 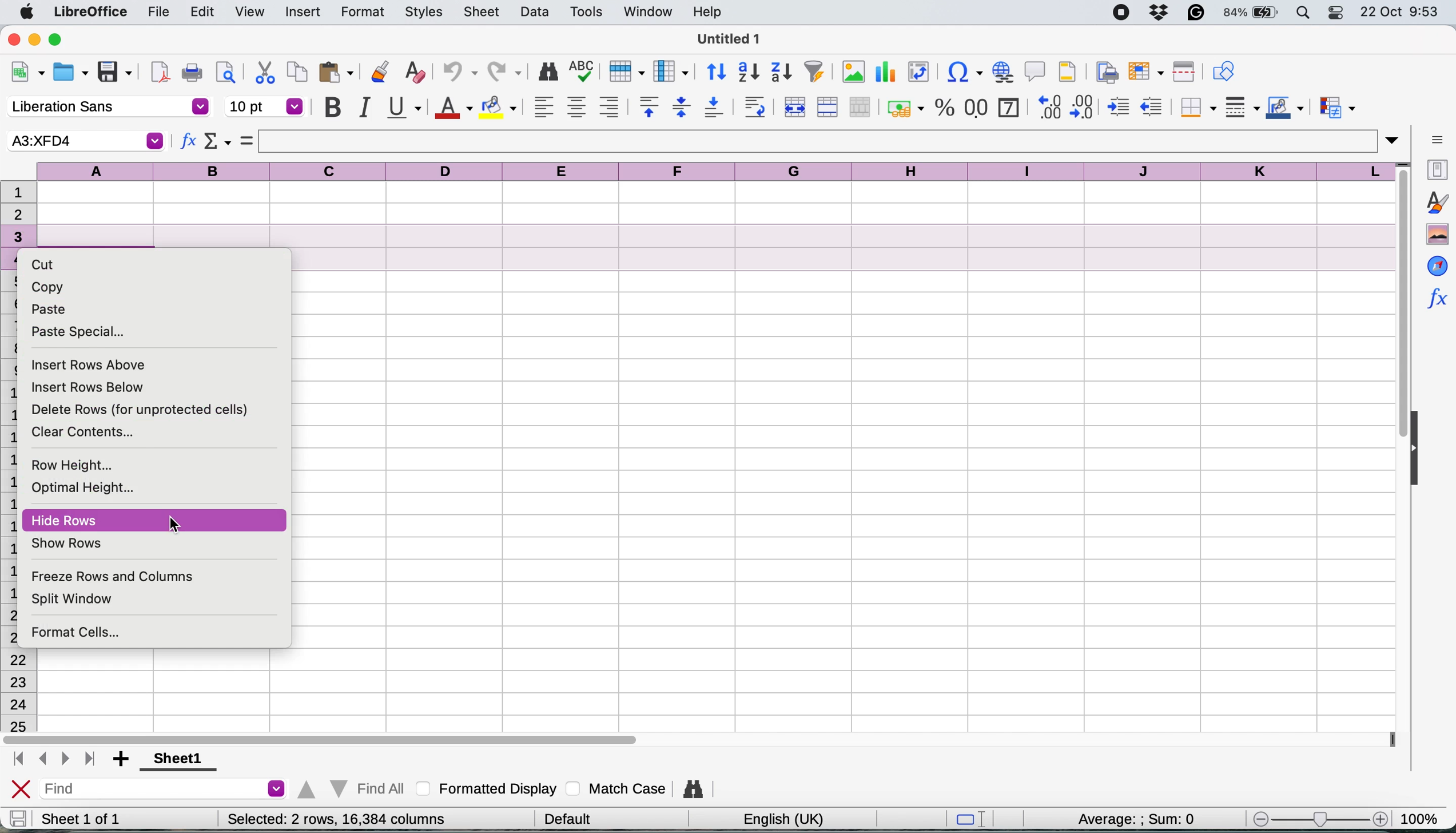 I want to click on columns, so click(x=718, y=169).